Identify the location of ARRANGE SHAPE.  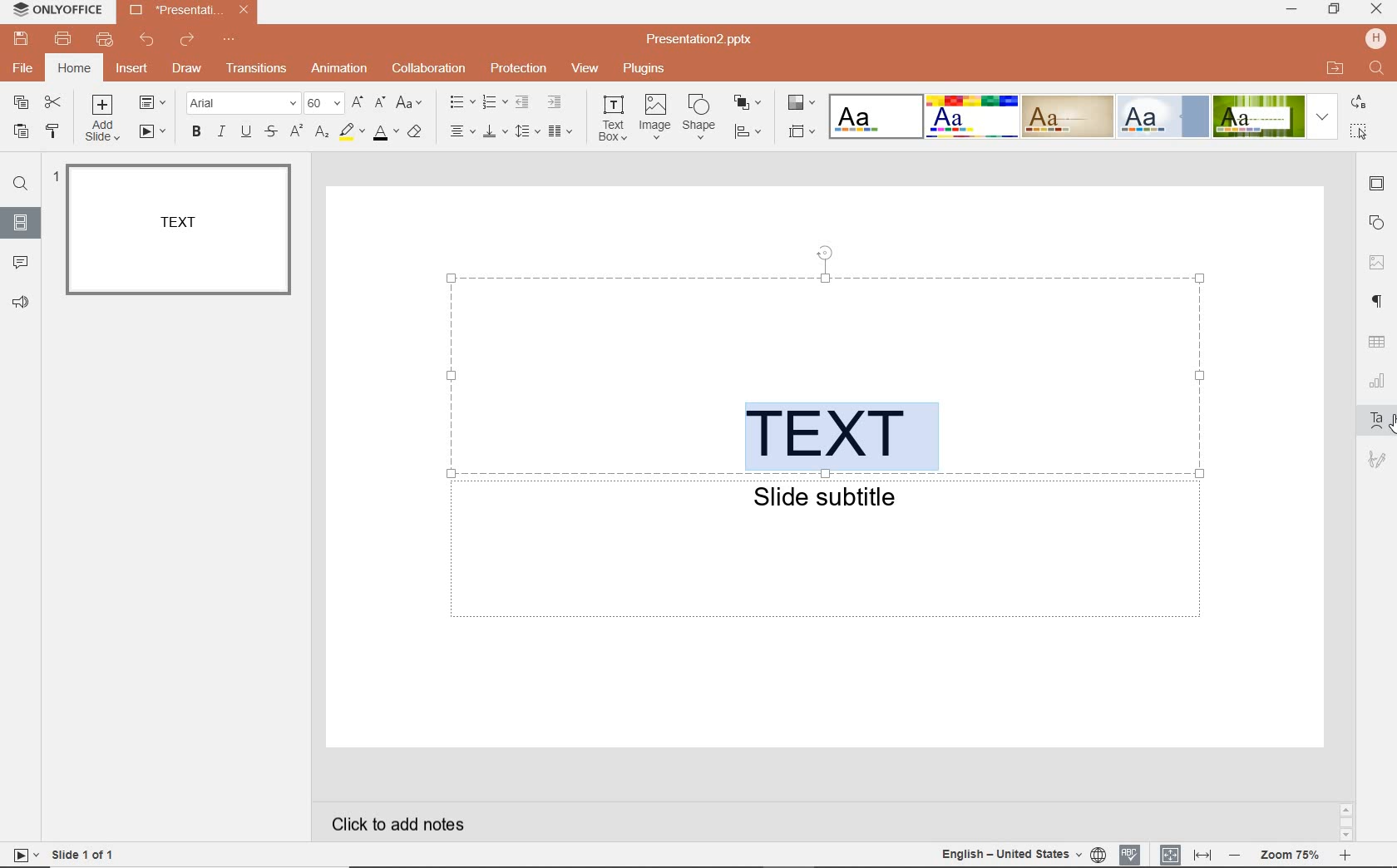
(748, 103).